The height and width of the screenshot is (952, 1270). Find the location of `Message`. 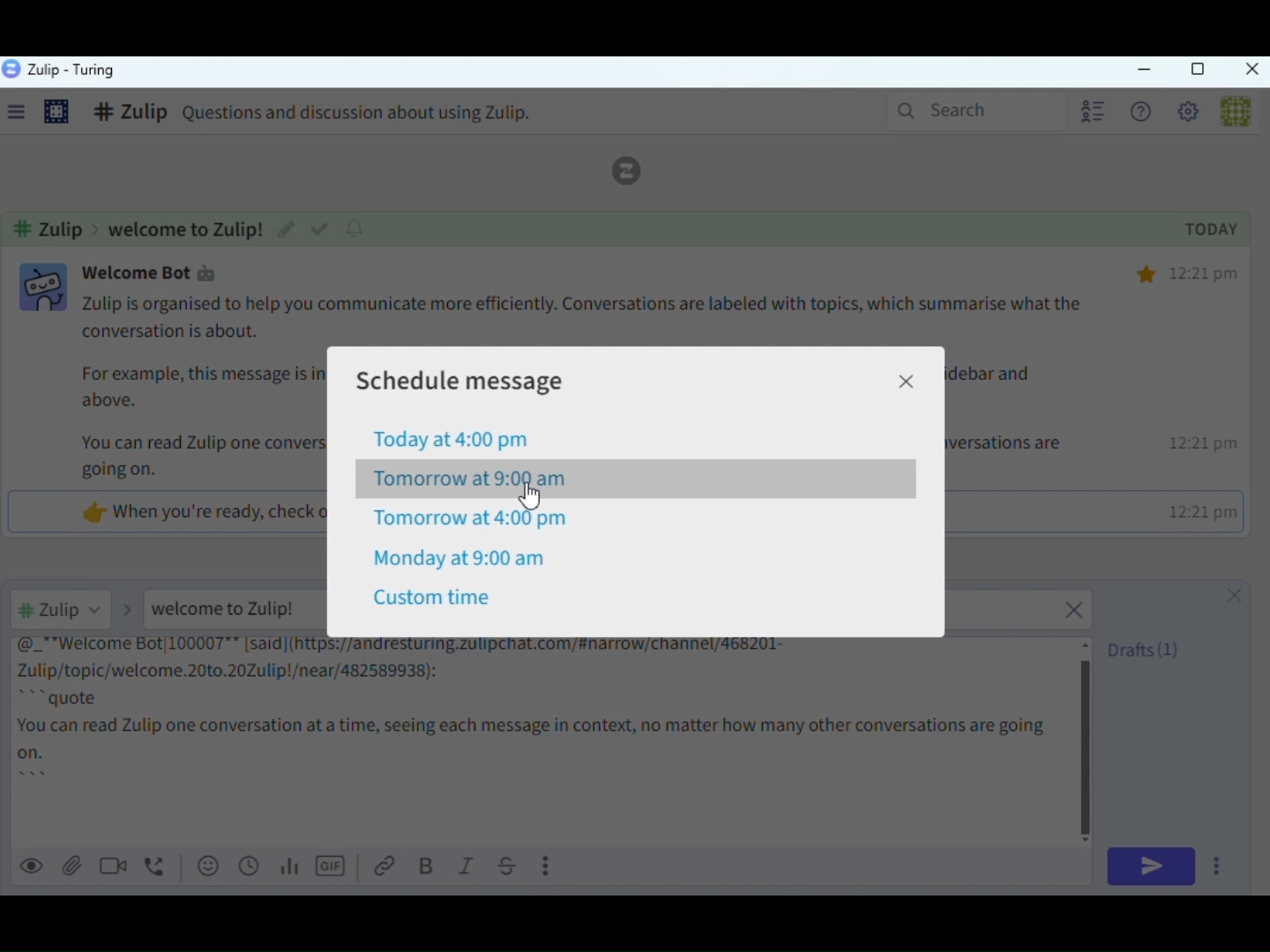

Message is located at coordinates (543, 740).